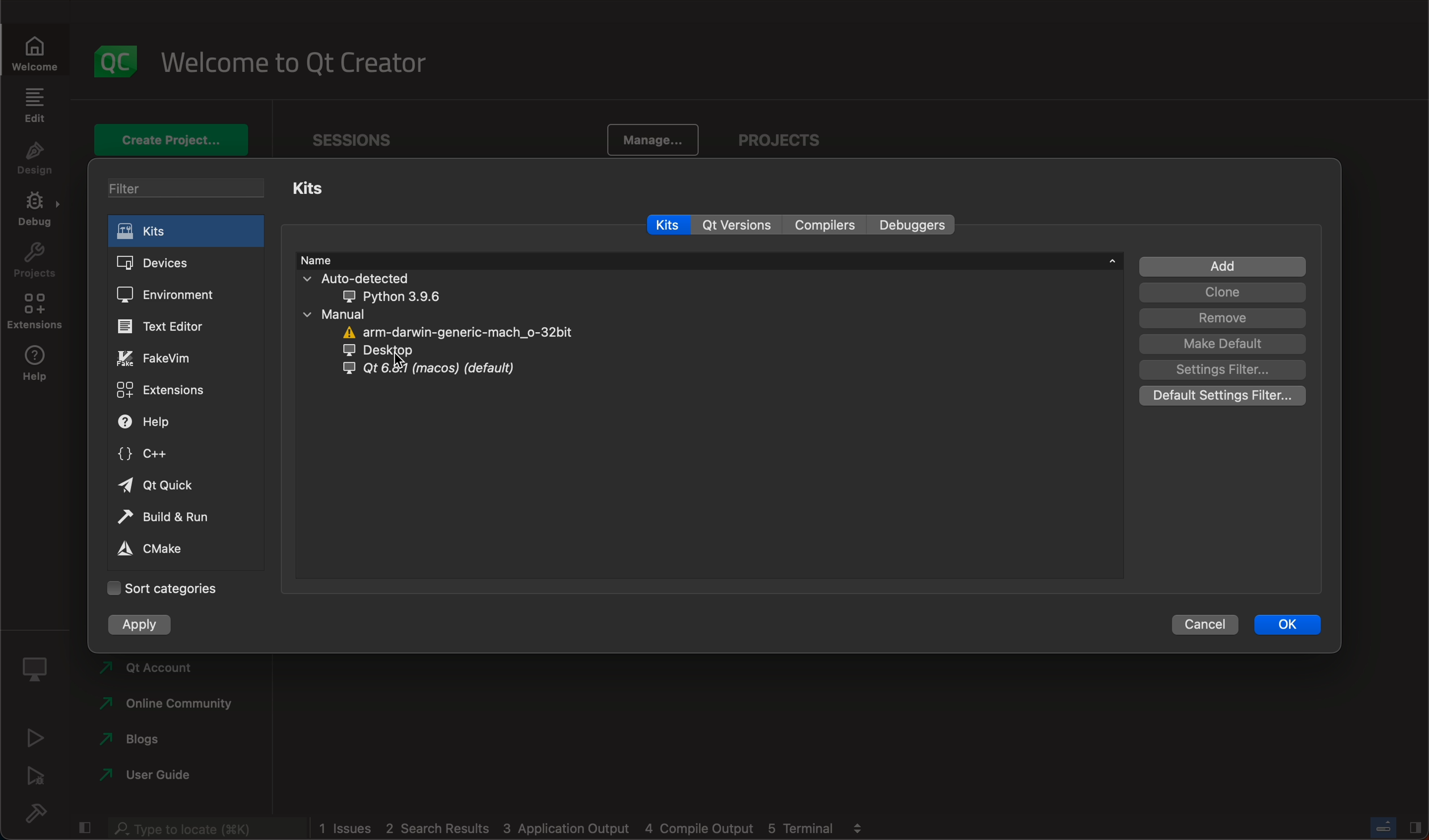  What do you see at coordinates (1224, 265) in the screenshot?
I see `add` at bounding box center [1224, 265].